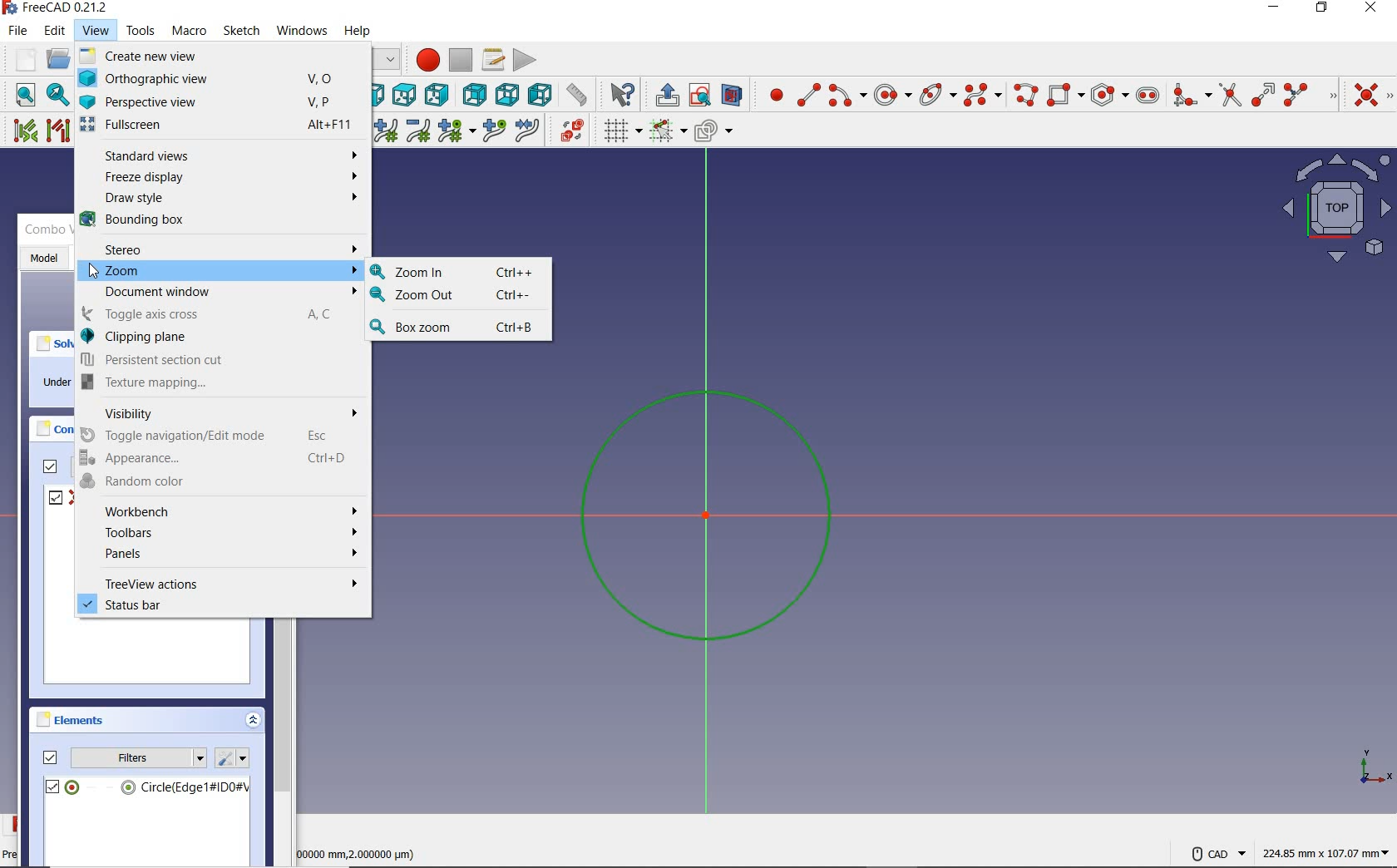  What do you see at coordinates (223, 435) in the screenshot?
I see `Toggle navigation/Edit mode` at bounding box center [223, 435].